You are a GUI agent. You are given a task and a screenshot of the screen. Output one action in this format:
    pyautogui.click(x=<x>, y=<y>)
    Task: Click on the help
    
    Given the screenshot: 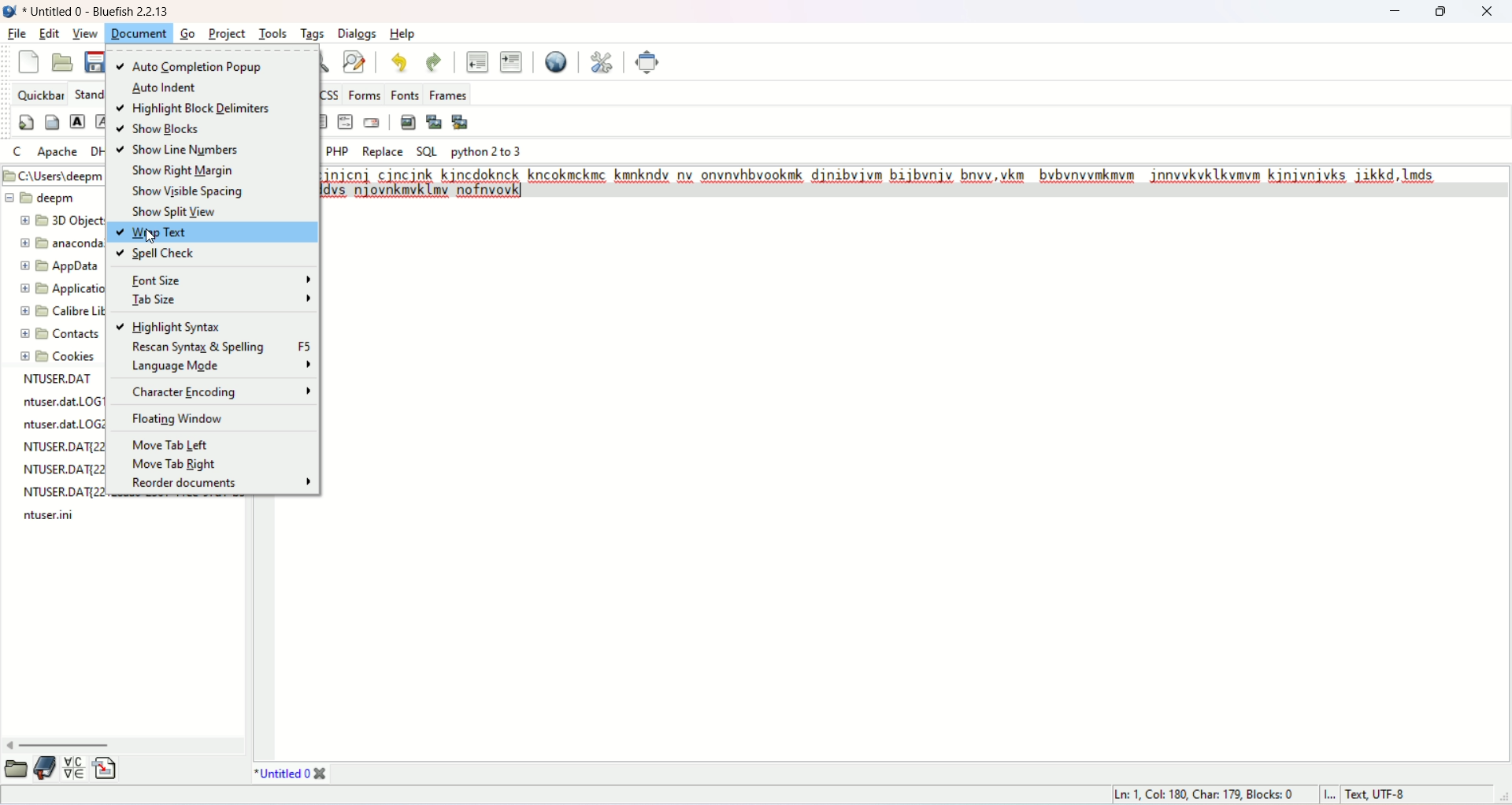 What is the action you would take?
    pyautogui.click(x=402, y=32)
    